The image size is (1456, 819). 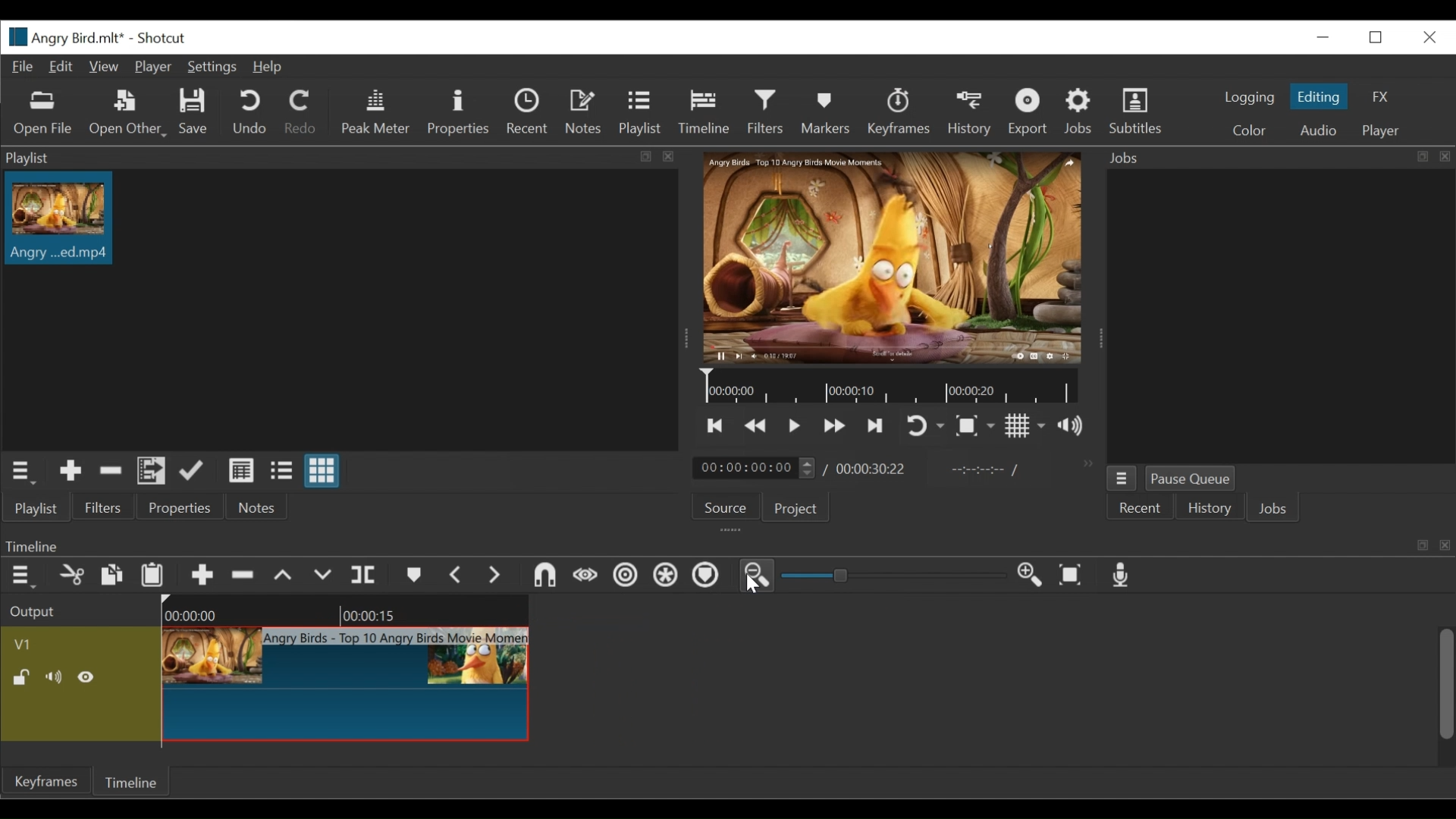 I want to click on Markers, so click(x=827, y=111).